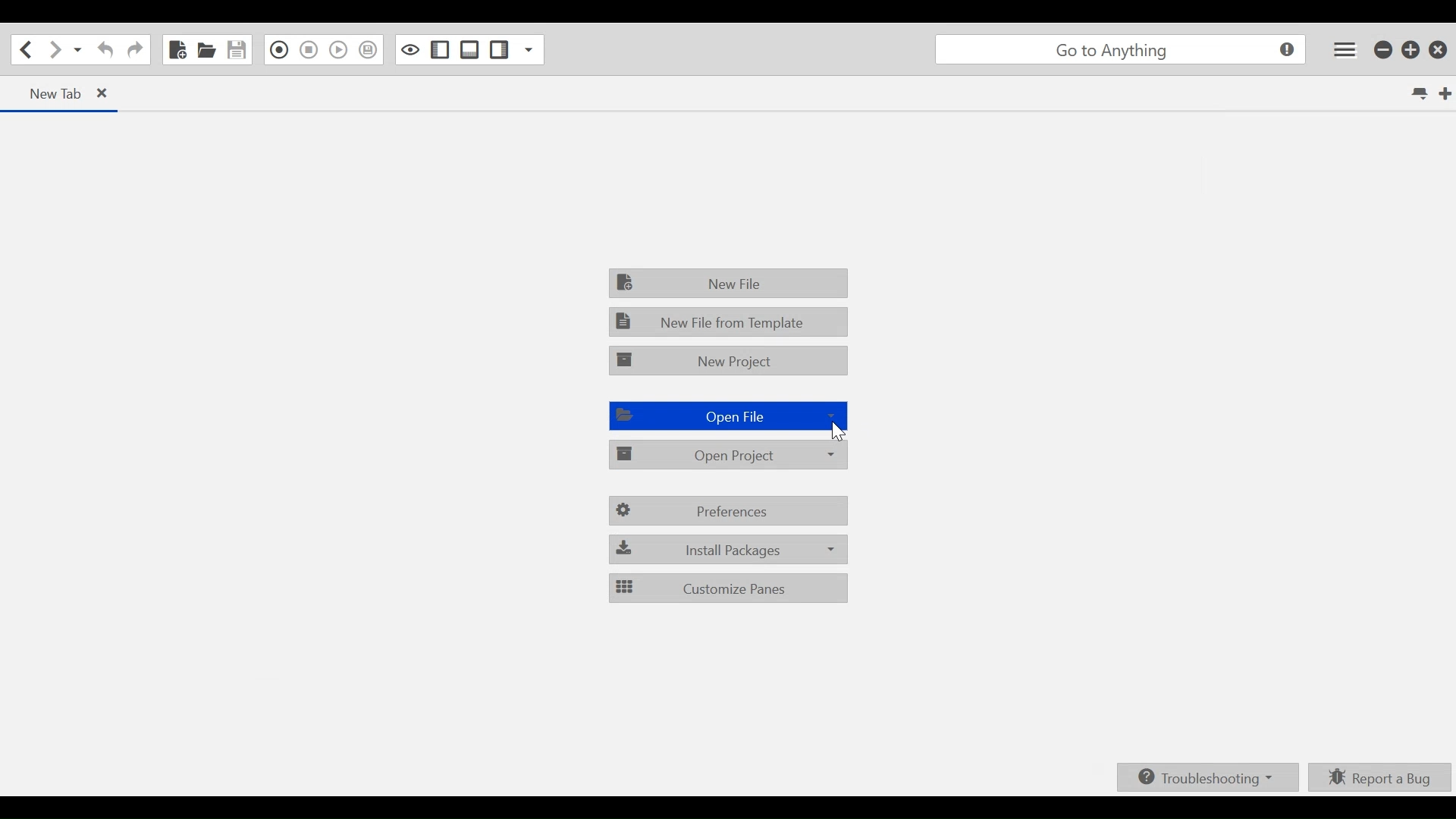 Image resolution: width=1456 pixels, height=819 pixels. What do you see at coordinates (530, 49) in the screenshot?
I see `Show specific Sidepane` at bounding box center [530, 49].